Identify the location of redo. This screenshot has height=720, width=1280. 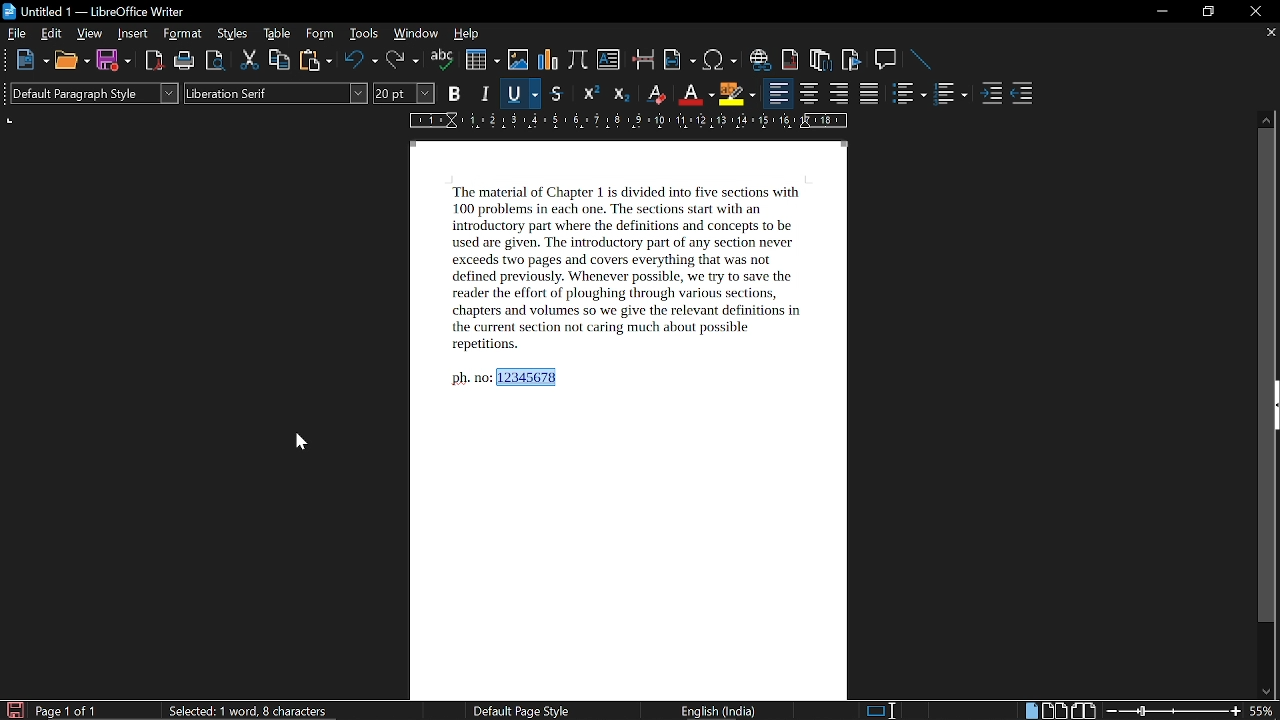
(401, 61).